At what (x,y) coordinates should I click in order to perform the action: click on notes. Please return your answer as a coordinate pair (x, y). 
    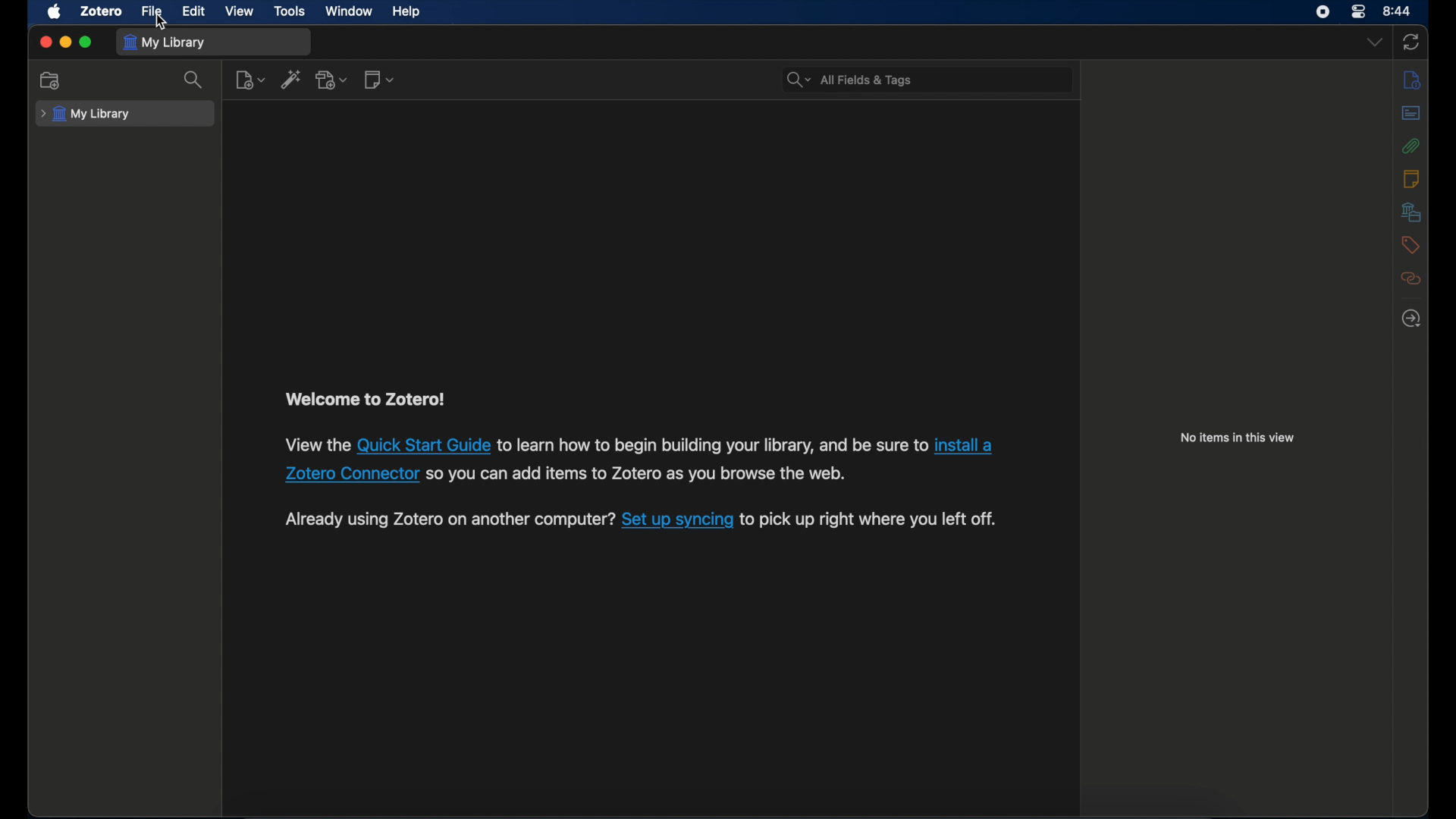
    Looking at the image, I should click on (1409, 178).